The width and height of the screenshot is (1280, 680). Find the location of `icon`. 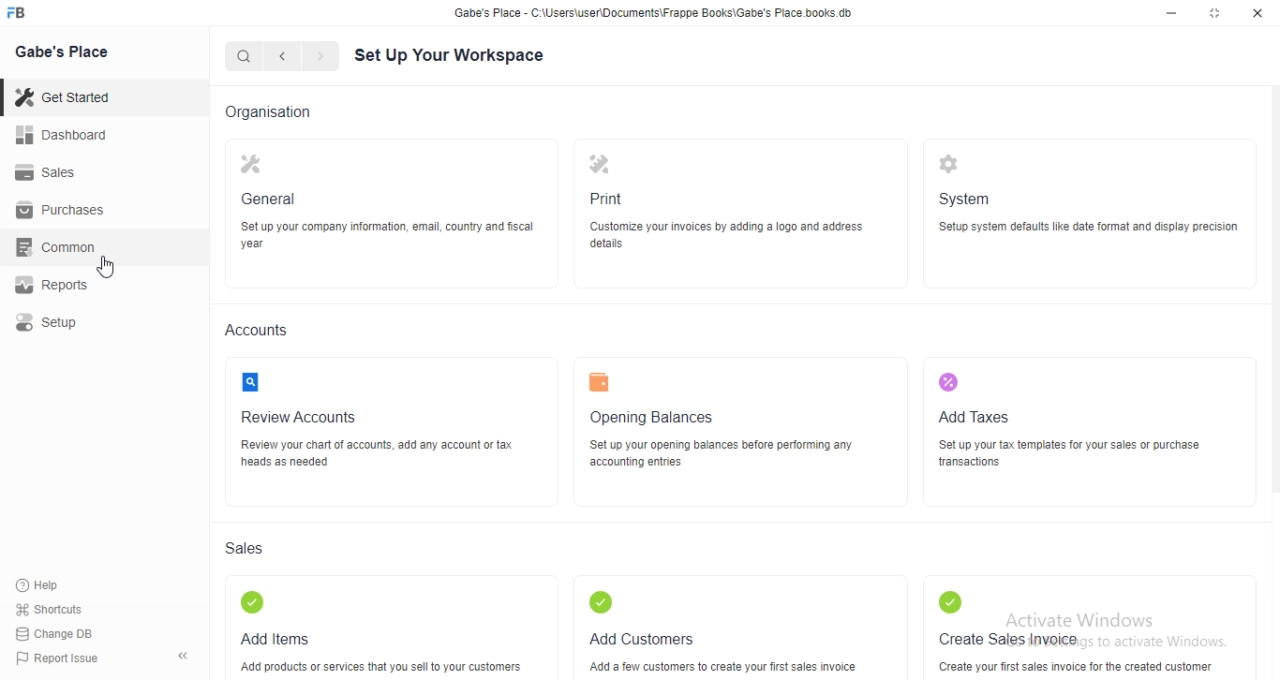

icon is located at coordinates (946, 383).